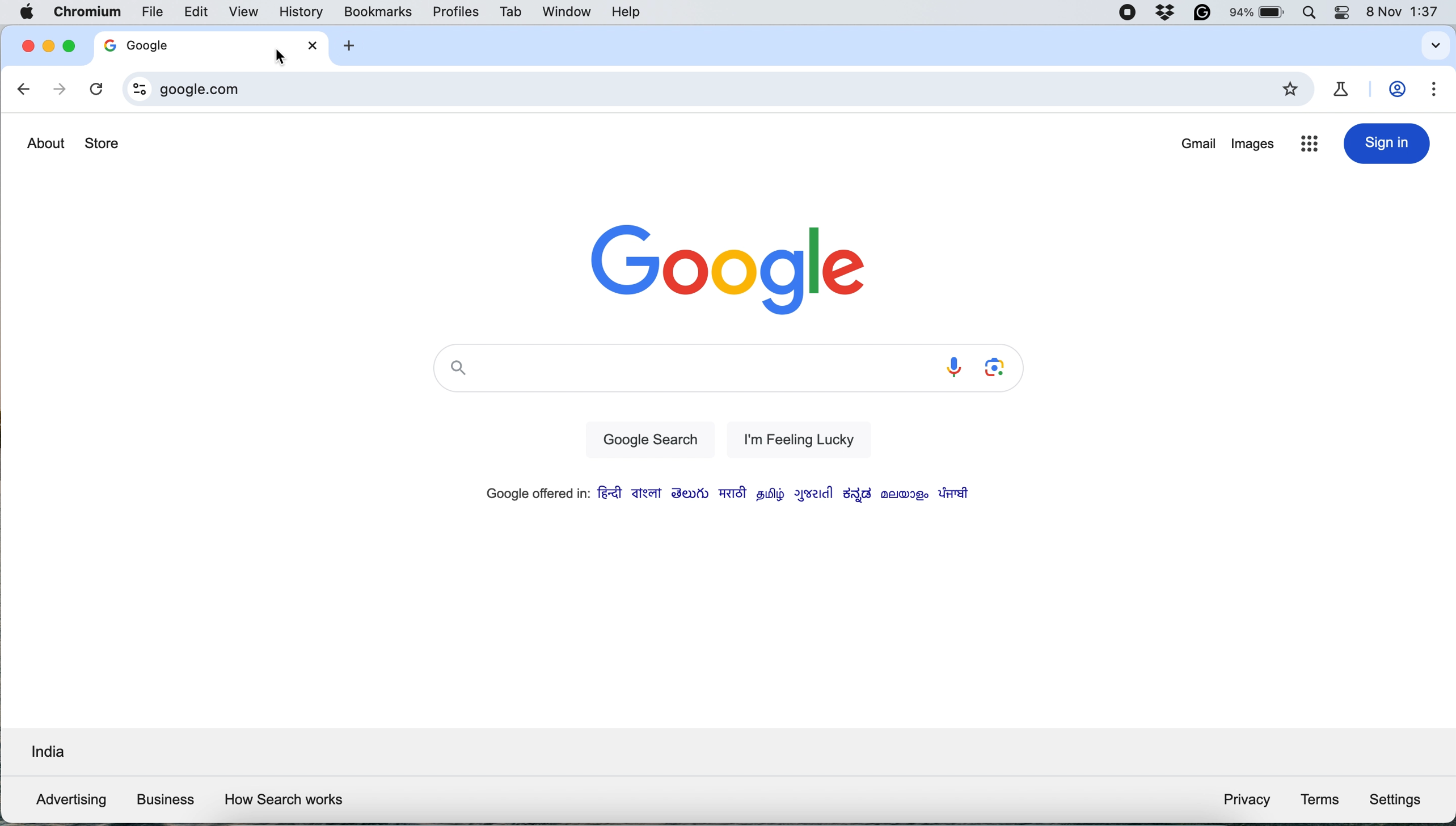  I want to click on window, so click(564, 11).